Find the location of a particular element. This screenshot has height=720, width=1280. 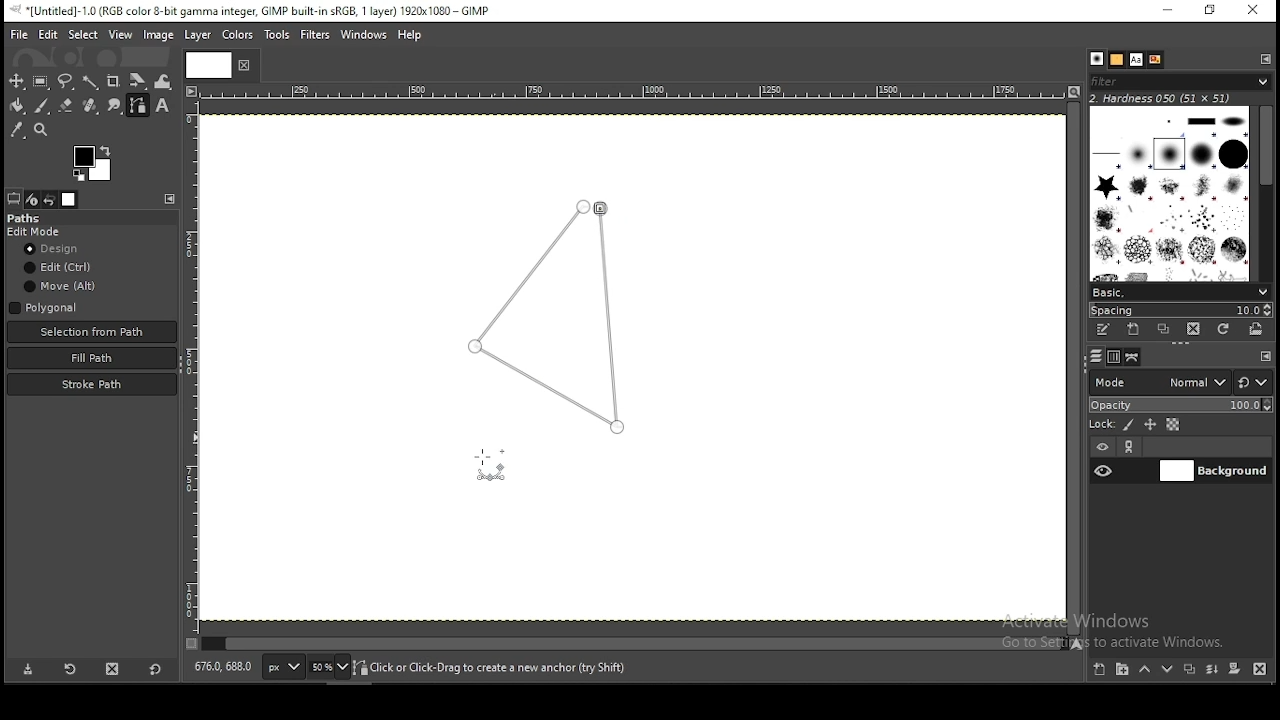

edit this brush is located at coordinates (1102, 329).